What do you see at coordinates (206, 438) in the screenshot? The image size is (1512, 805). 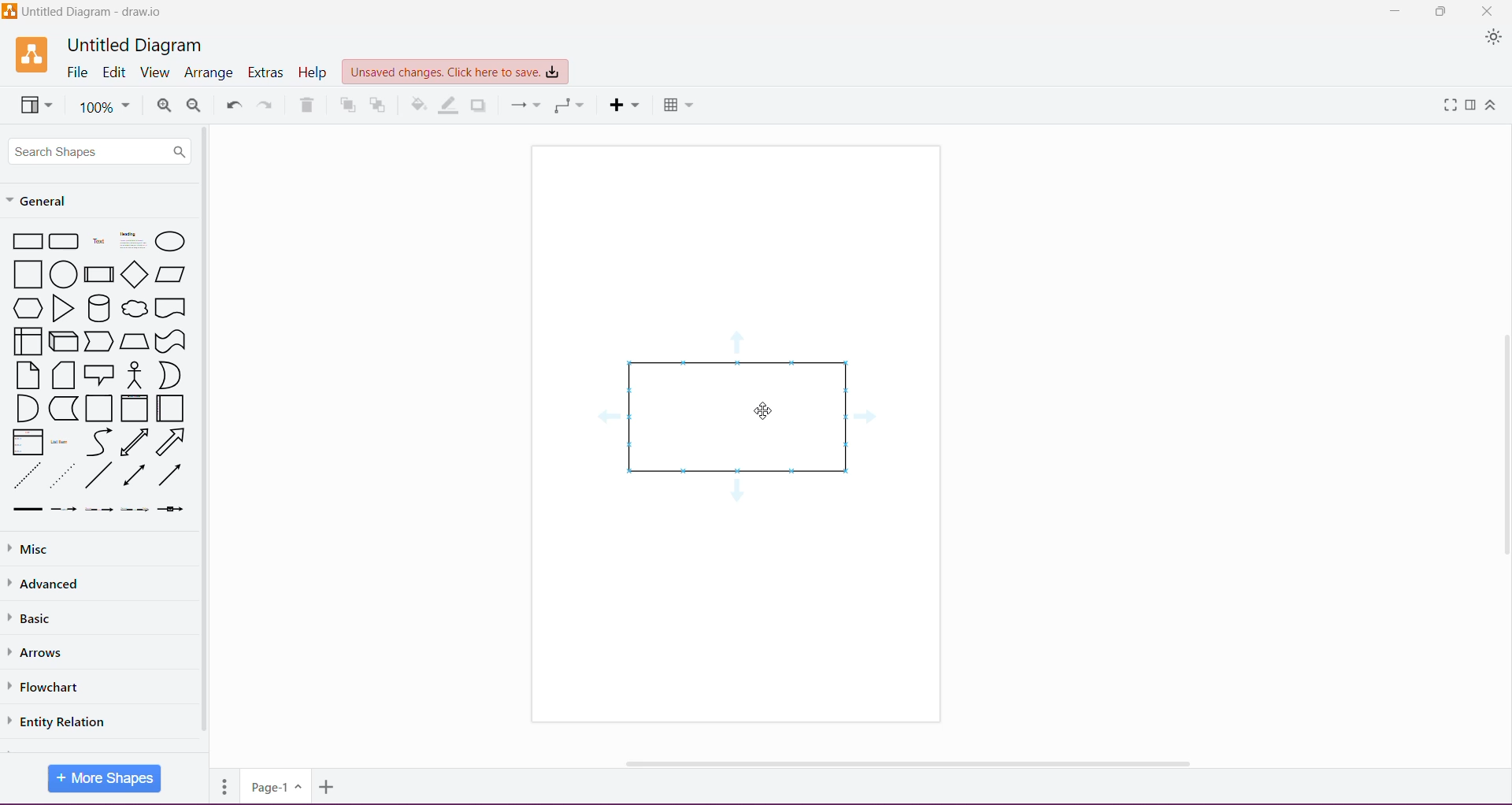 I see `Vertical Scroll Bar` at bounding box center [206, 438].